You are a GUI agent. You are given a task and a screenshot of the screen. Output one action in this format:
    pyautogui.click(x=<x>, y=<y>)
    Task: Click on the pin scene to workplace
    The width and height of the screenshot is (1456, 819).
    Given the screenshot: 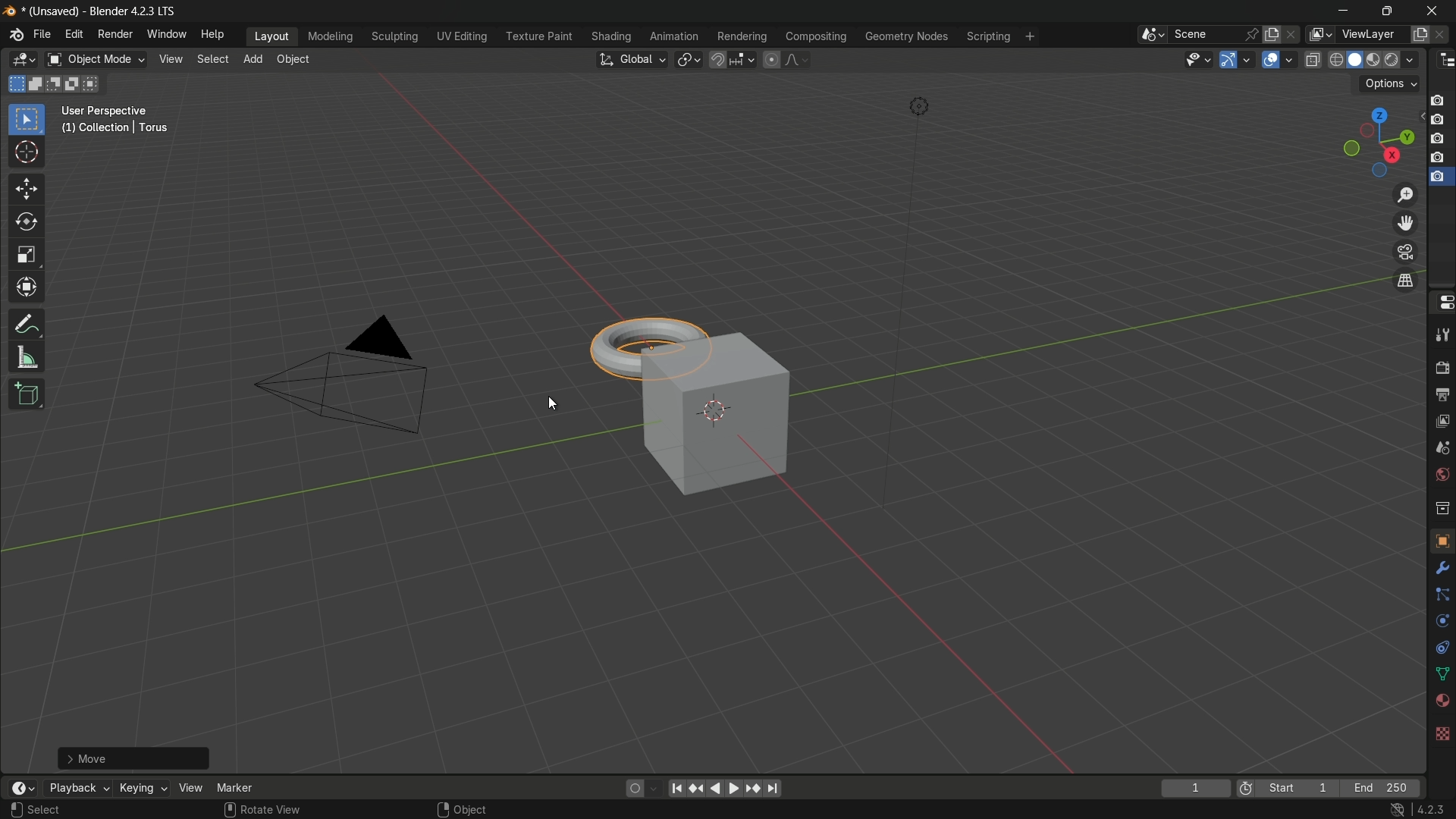 What is the action you would take?
    pyautogui.click(x=1252, y=34)
    